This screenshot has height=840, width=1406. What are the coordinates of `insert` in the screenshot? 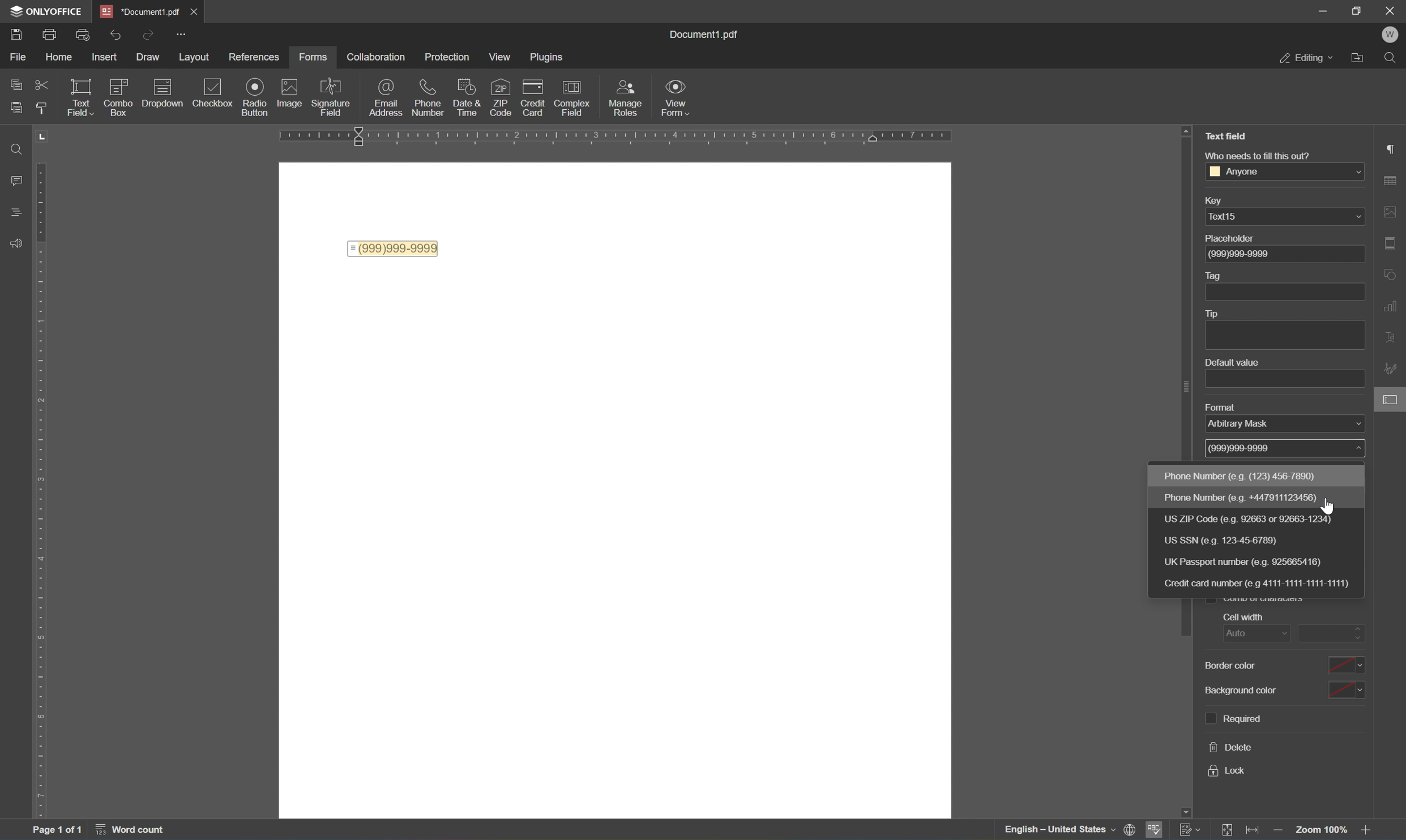 It's located at (103, 57).